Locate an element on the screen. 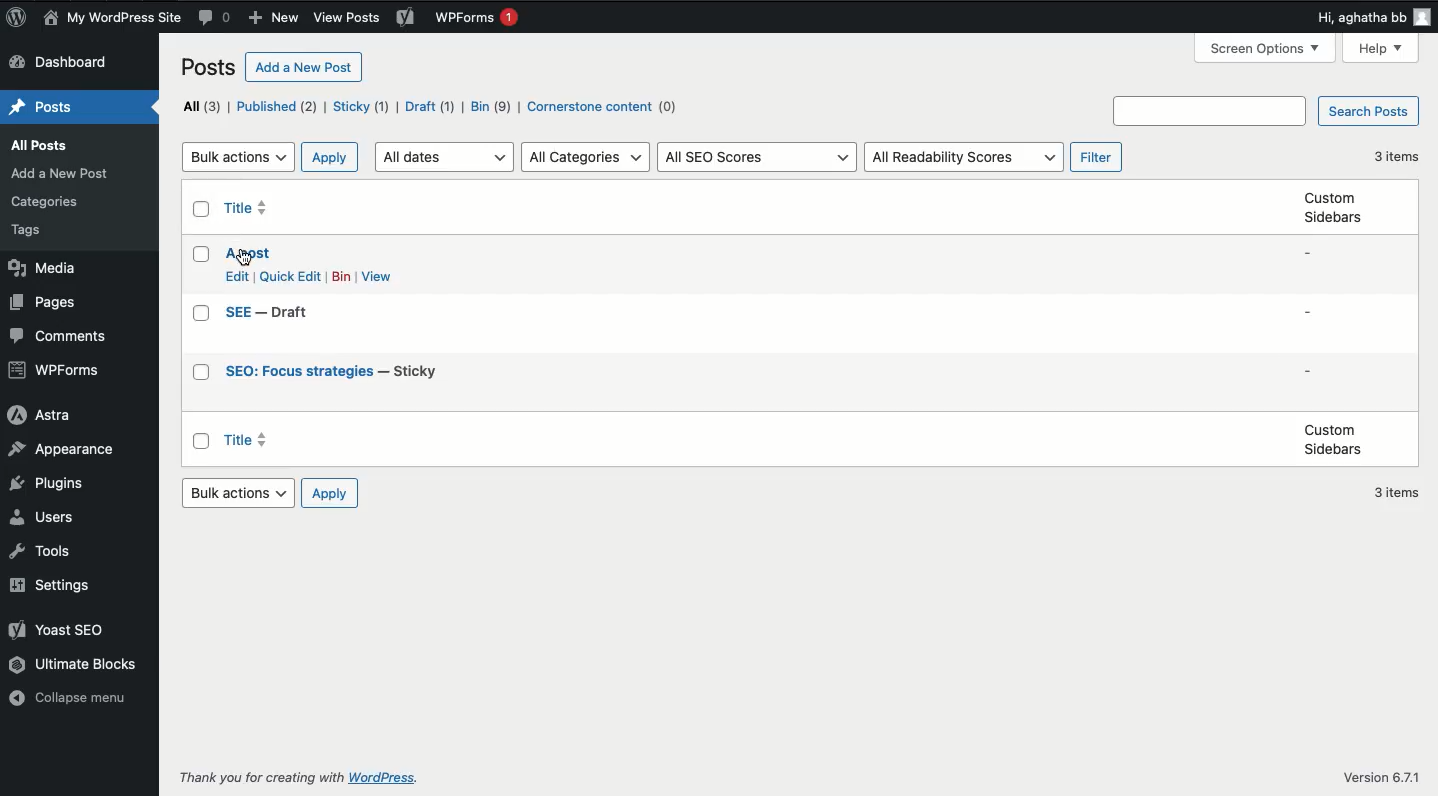   is located at coordinates (346, 19).